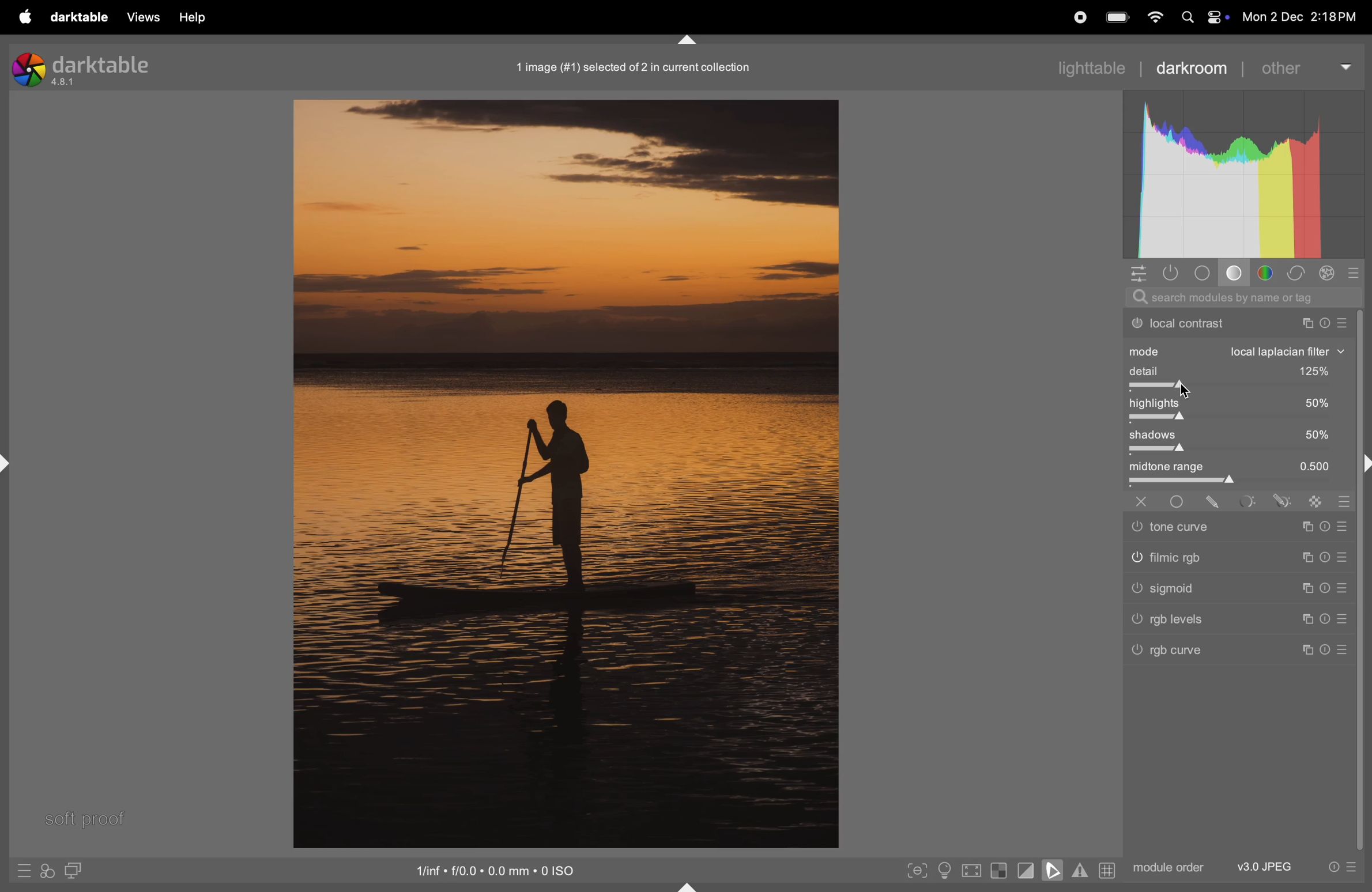  I want to click on apple menu, so click(24, 16).